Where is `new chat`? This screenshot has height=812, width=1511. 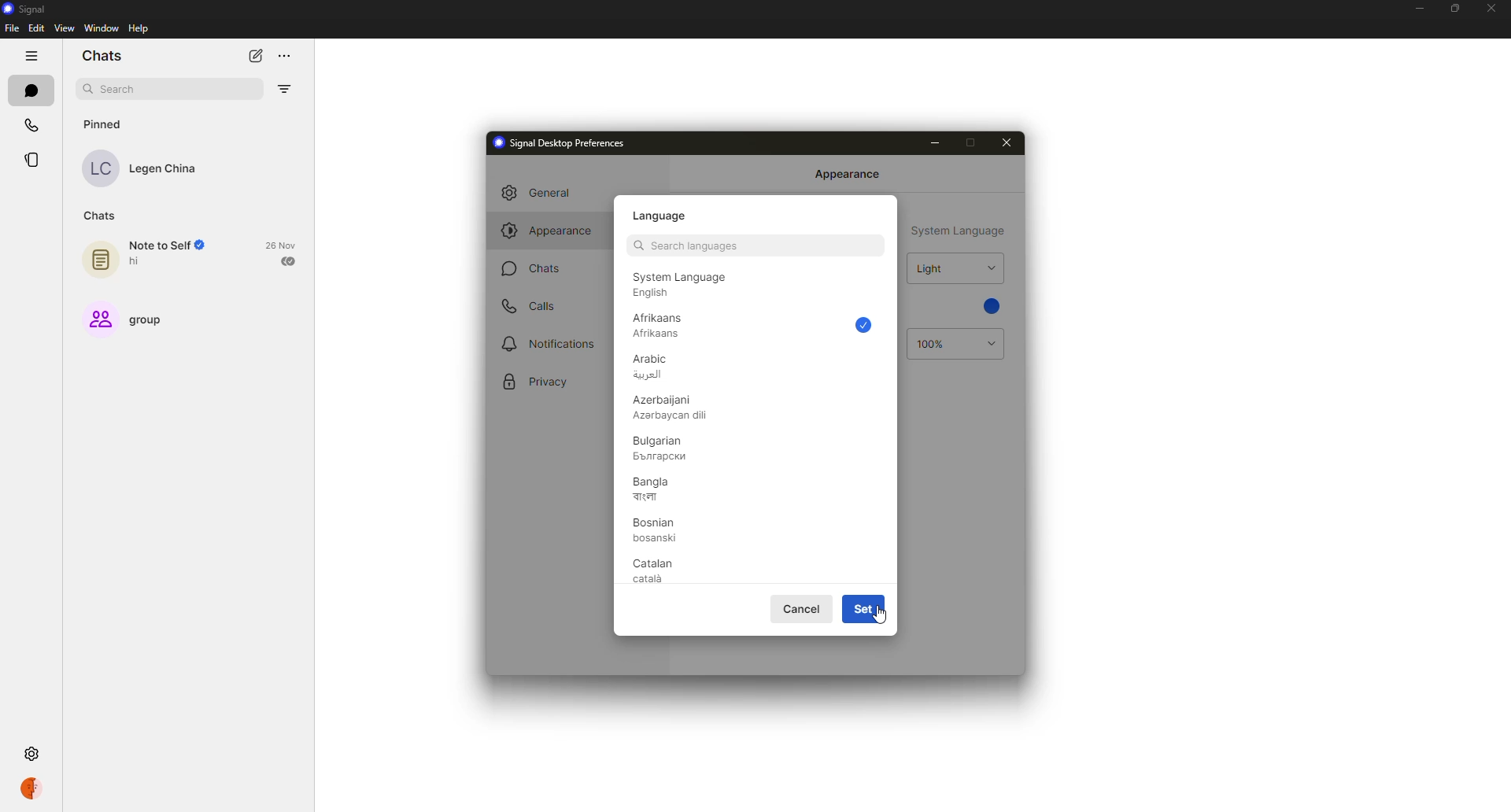
new chat is located at coordinates (256, 57).